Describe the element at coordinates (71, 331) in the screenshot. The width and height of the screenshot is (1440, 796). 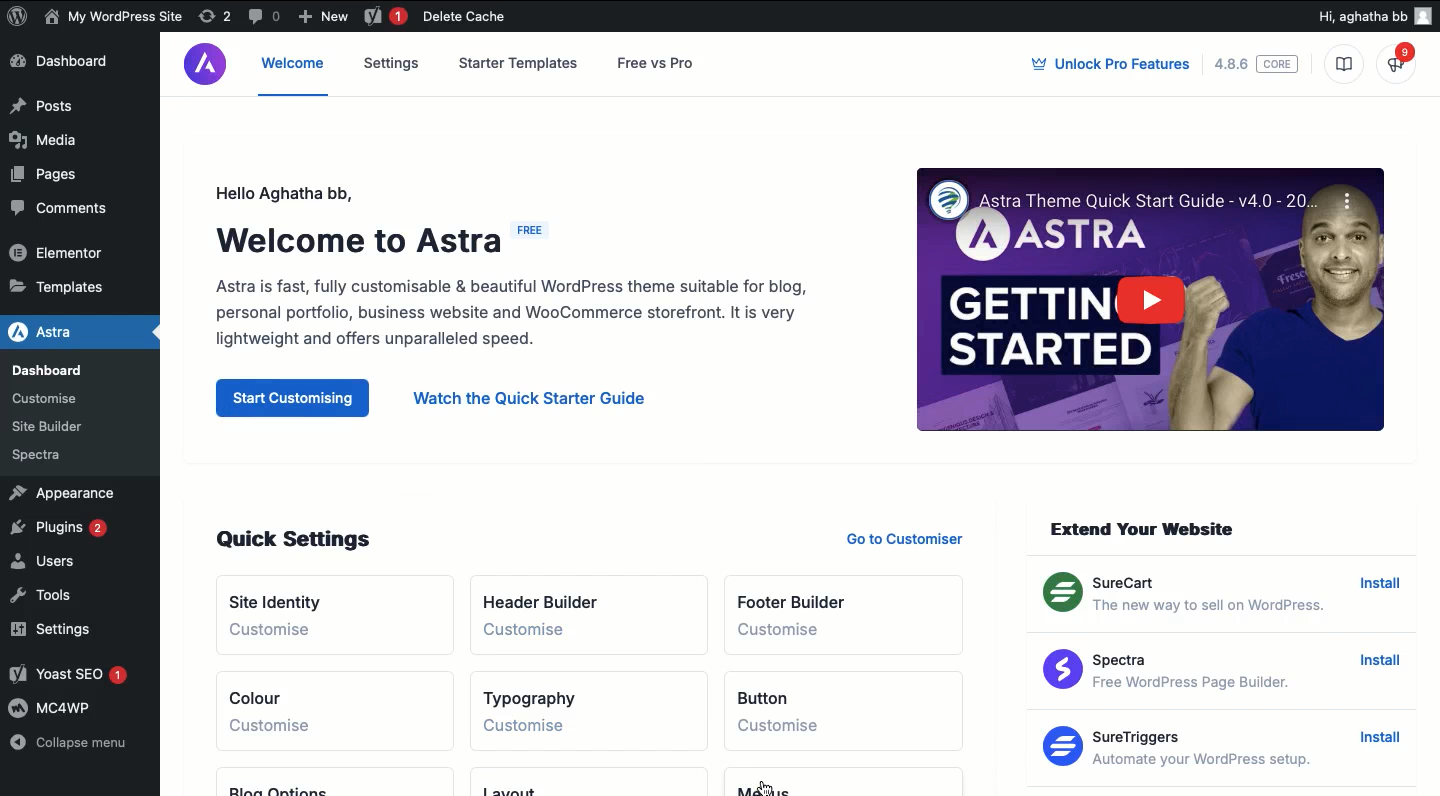
I see `Astra` at that location.